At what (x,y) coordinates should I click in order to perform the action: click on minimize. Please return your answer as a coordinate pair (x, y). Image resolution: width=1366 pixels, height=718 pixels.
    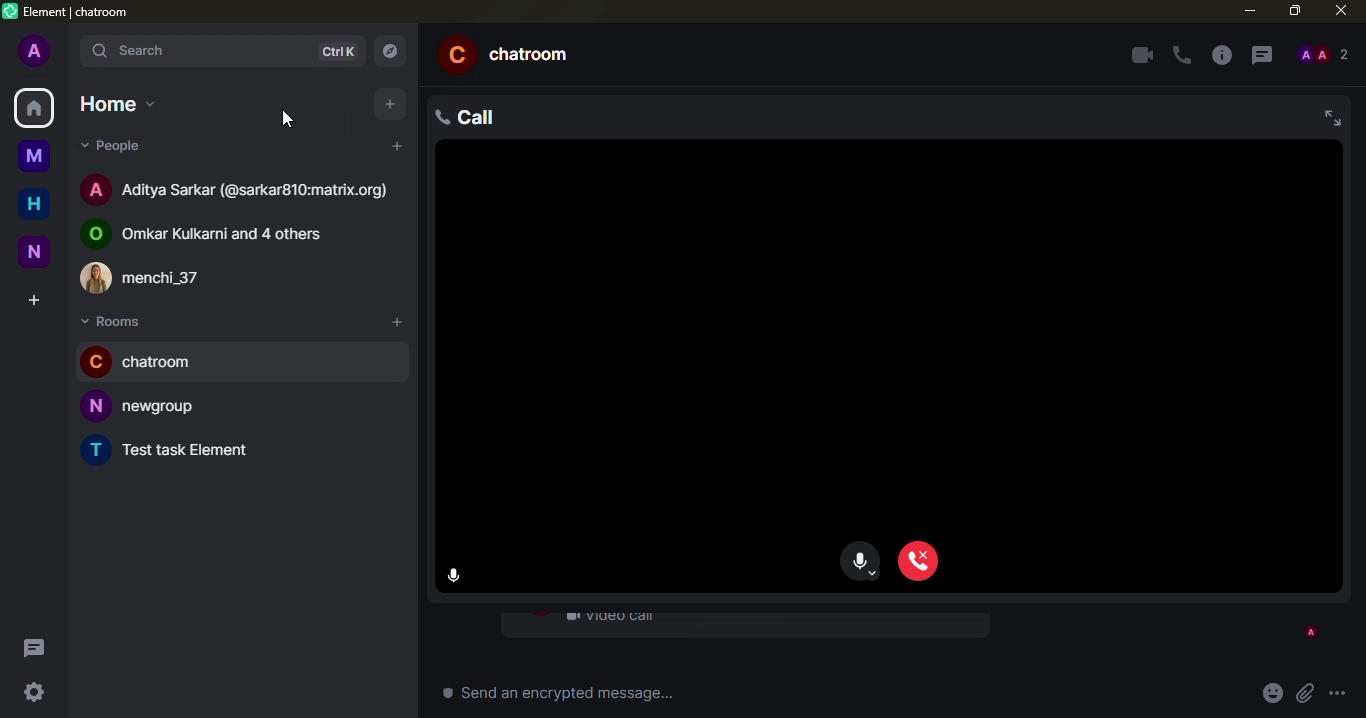
    Looking at the image, I should click on (1249, 11).